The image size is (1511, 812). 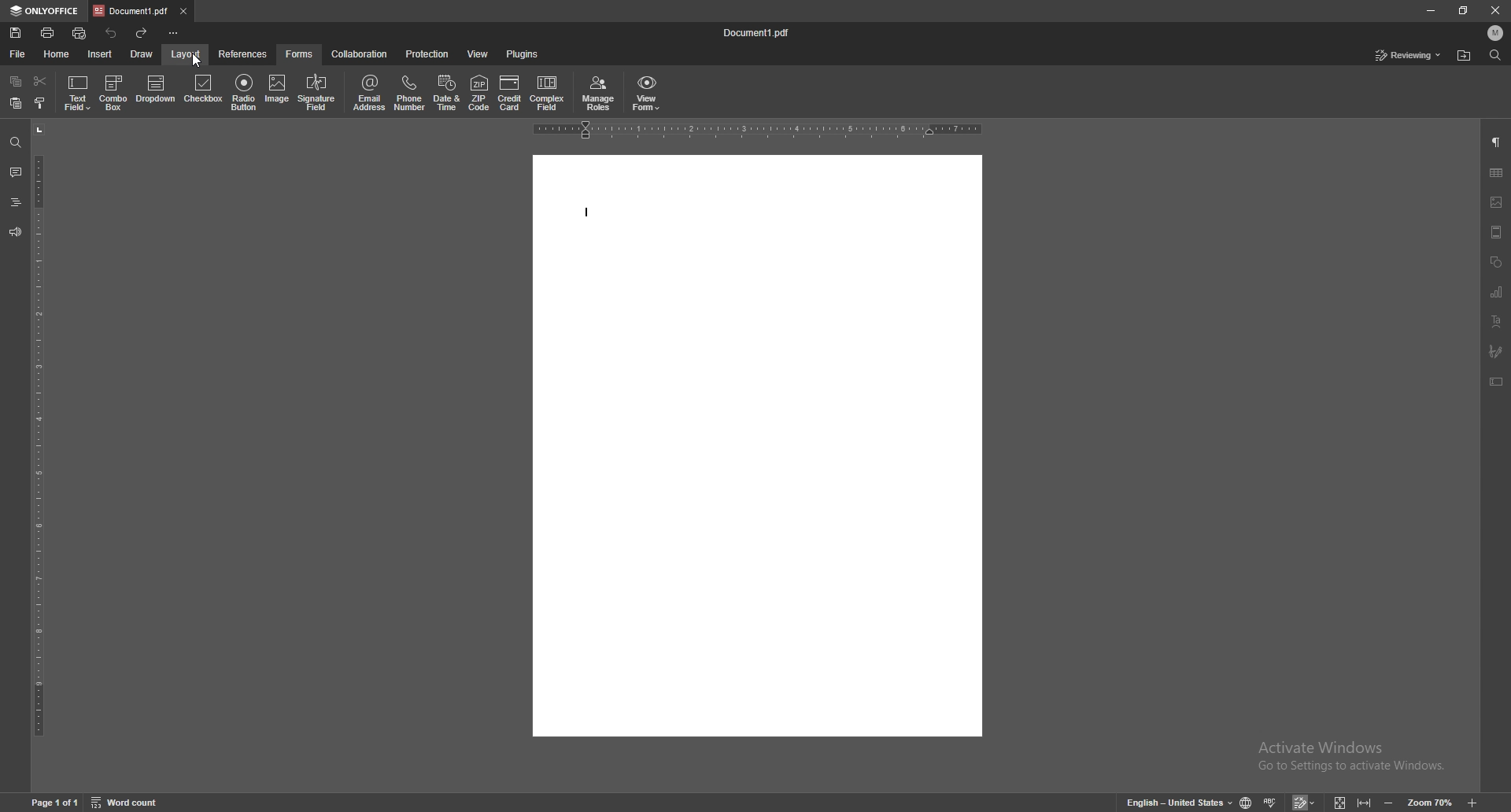 What do you see at coordinates (204, 90) in the screenshot?
I see `checkbox` at bounding box center [204, 90].